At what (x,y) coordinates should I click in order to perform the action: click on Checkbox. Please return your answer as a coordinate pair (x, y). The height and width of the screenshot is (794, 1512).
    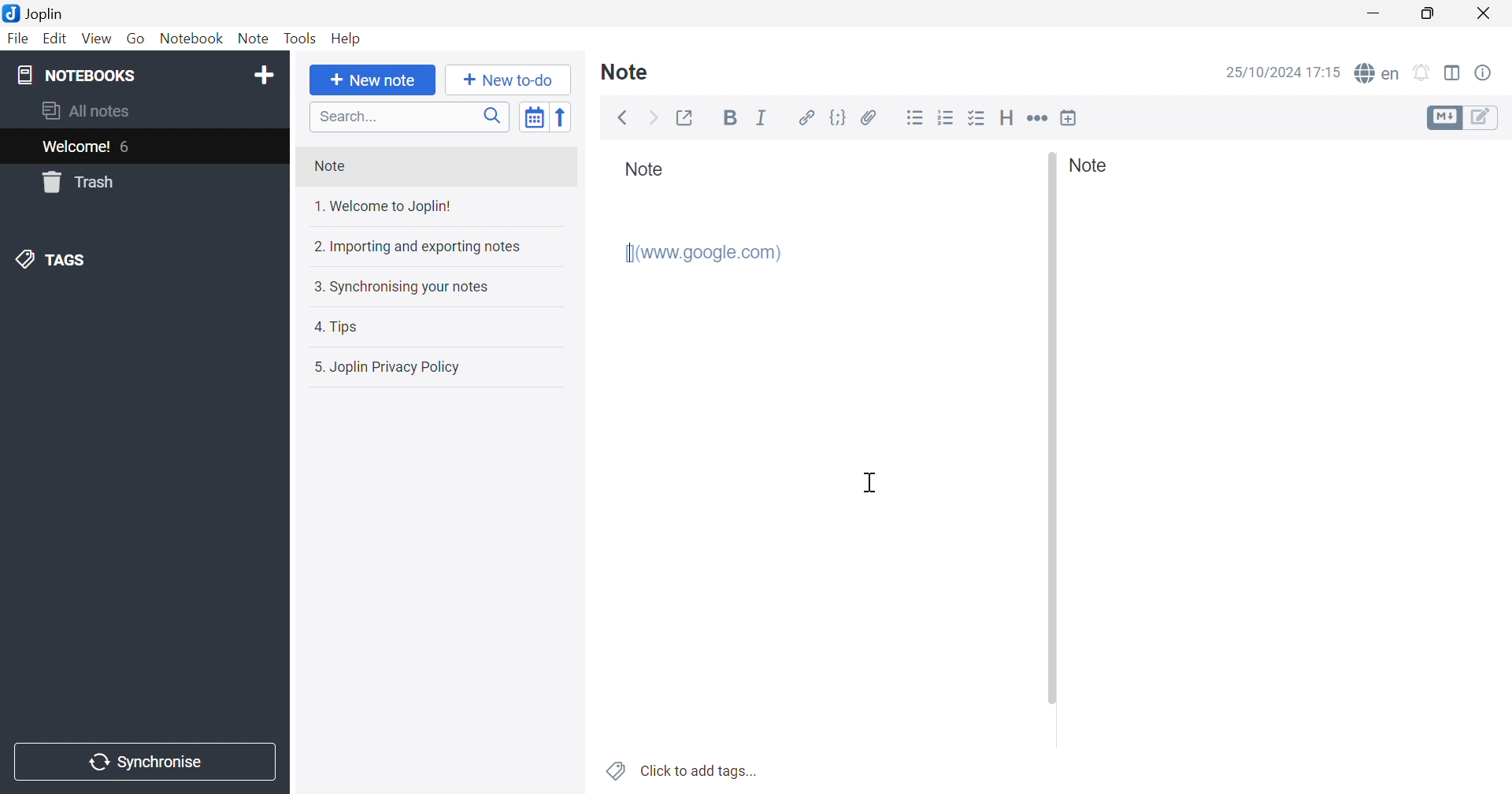
    Looking at the image, I should click on (977, 117).